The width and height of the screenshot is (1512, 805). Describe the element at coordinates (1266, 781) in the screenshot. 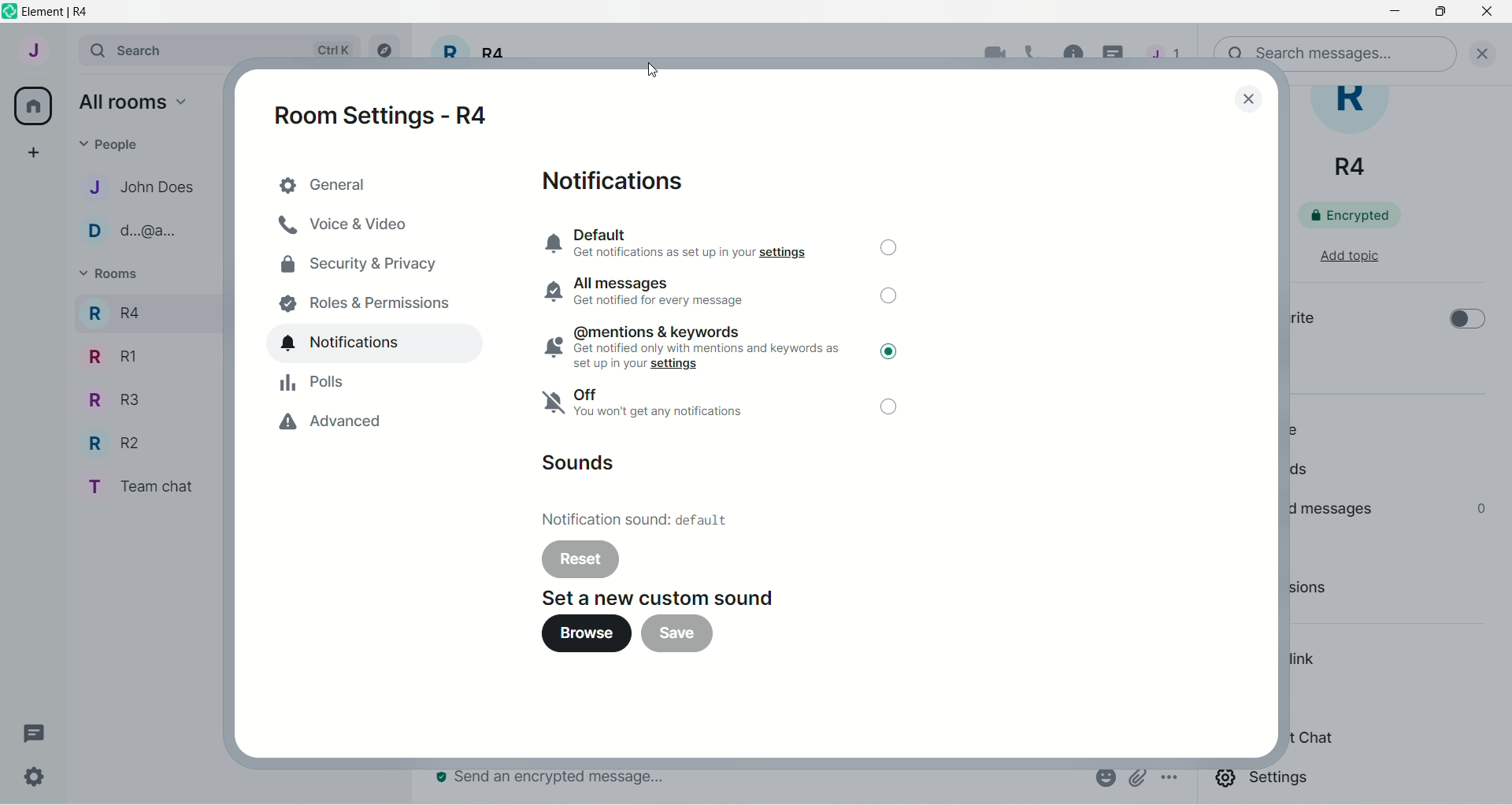

I see `settings` at that location.